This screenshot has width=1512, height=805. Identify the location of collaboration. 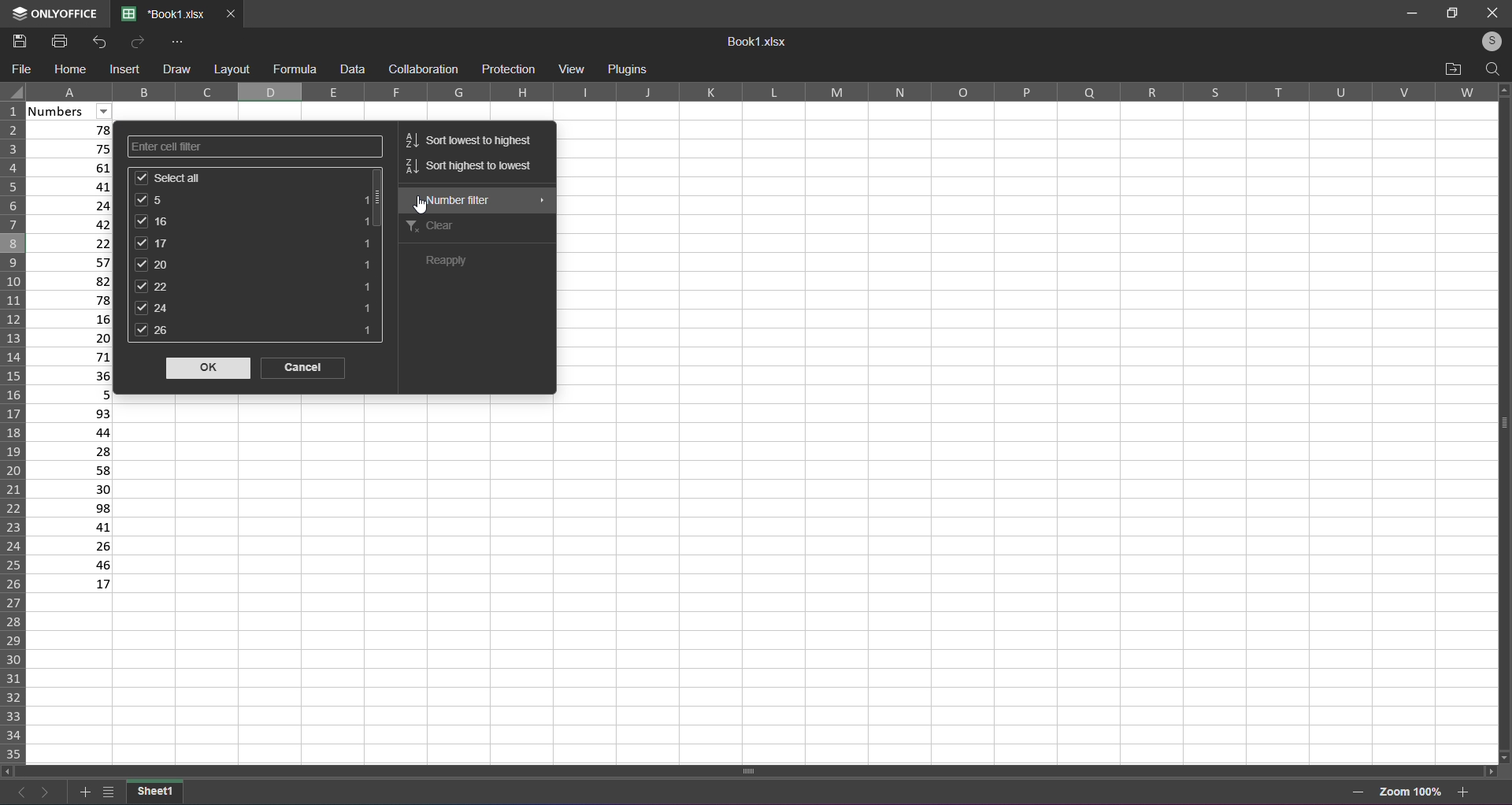
(421, 69).